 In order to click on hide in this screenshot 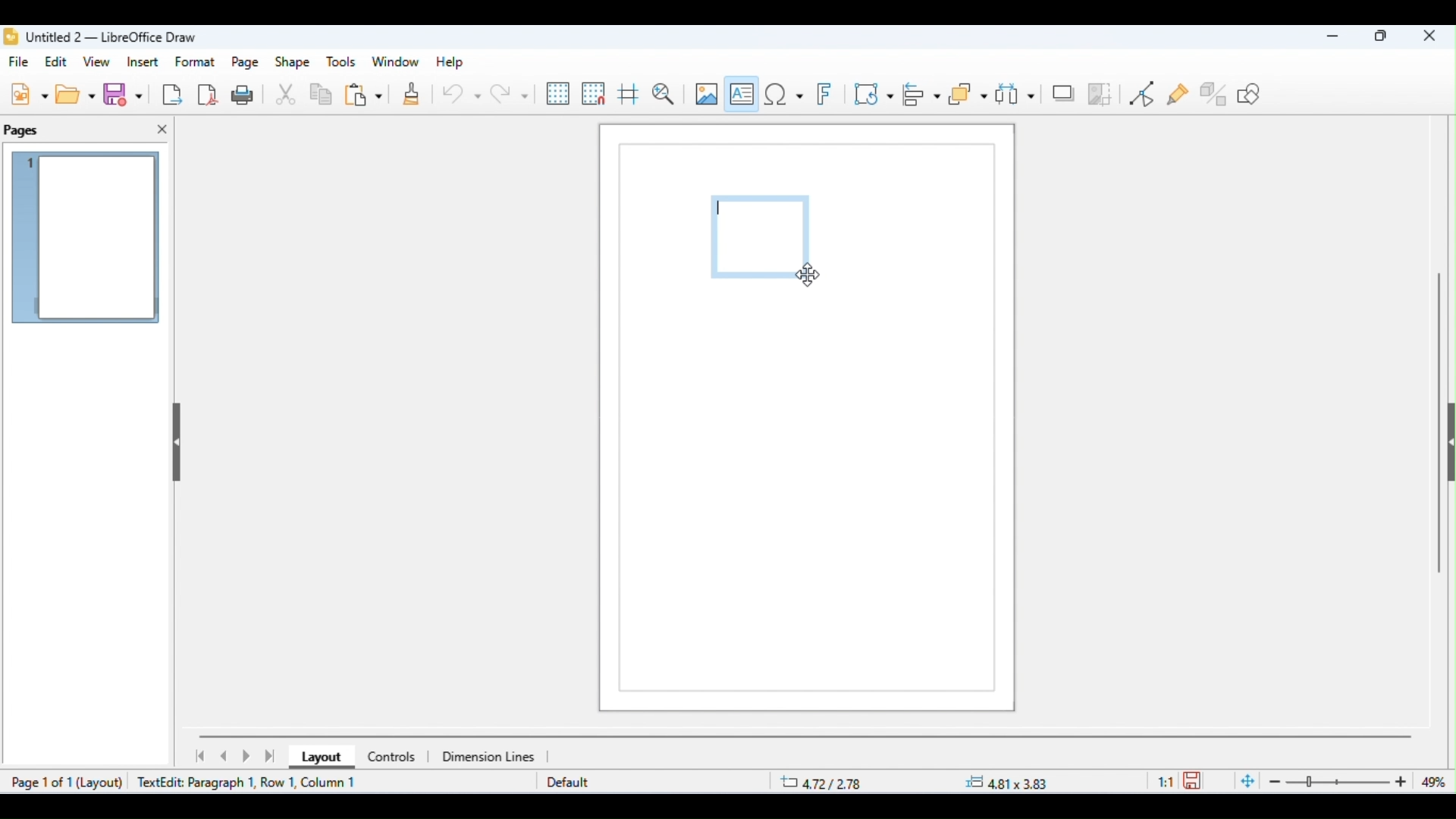, I will do `click(1447, 446)`.